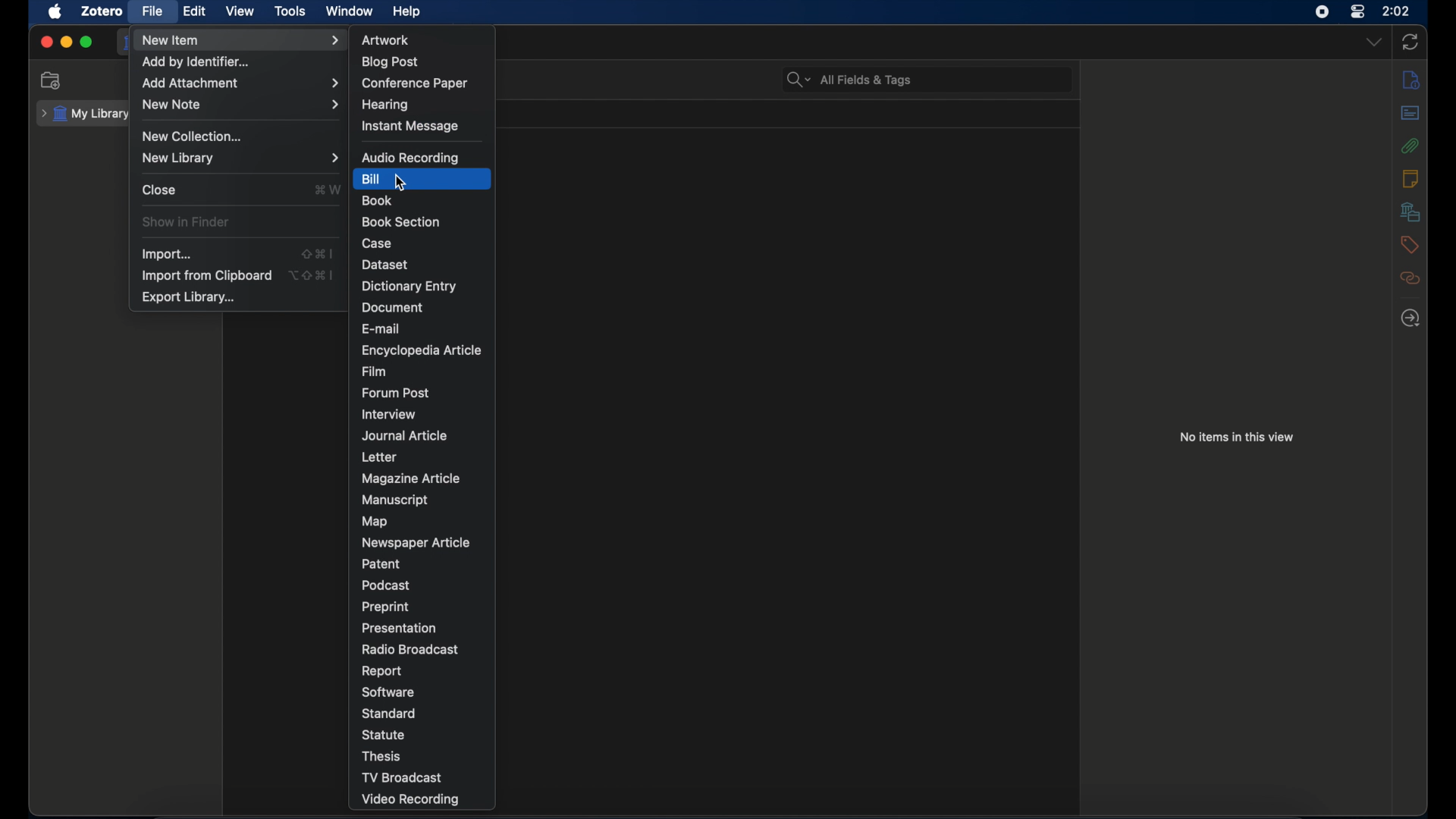 The width and height of the screenshot is (1456, 819). I want to click on minimize, so click(67, 42).